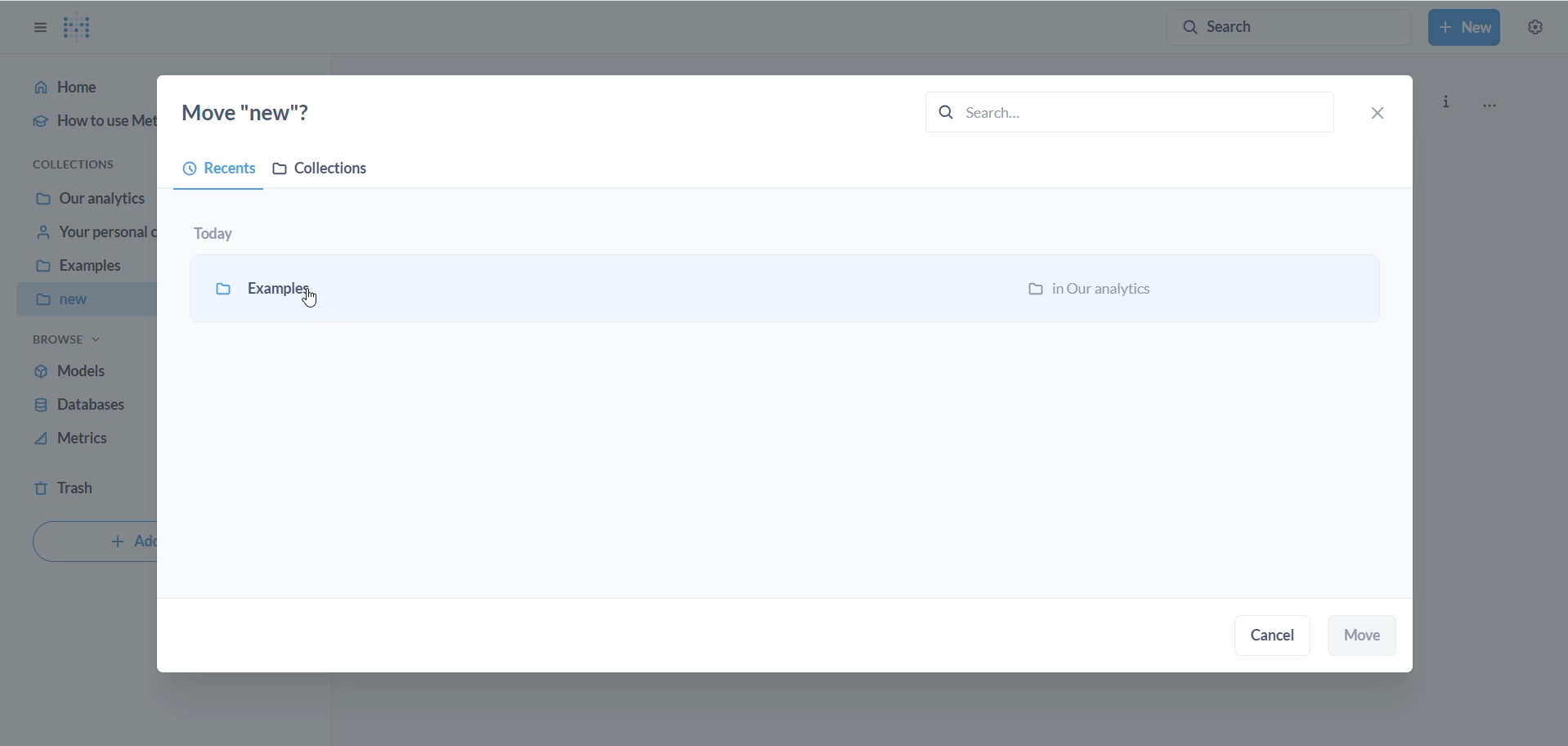 The height and width of the screenshot is (746, 1568). What do you see at coordinates (329, 172) in the screenshot?
I see `COLLECTIONS` at bounding box center [329, 172].